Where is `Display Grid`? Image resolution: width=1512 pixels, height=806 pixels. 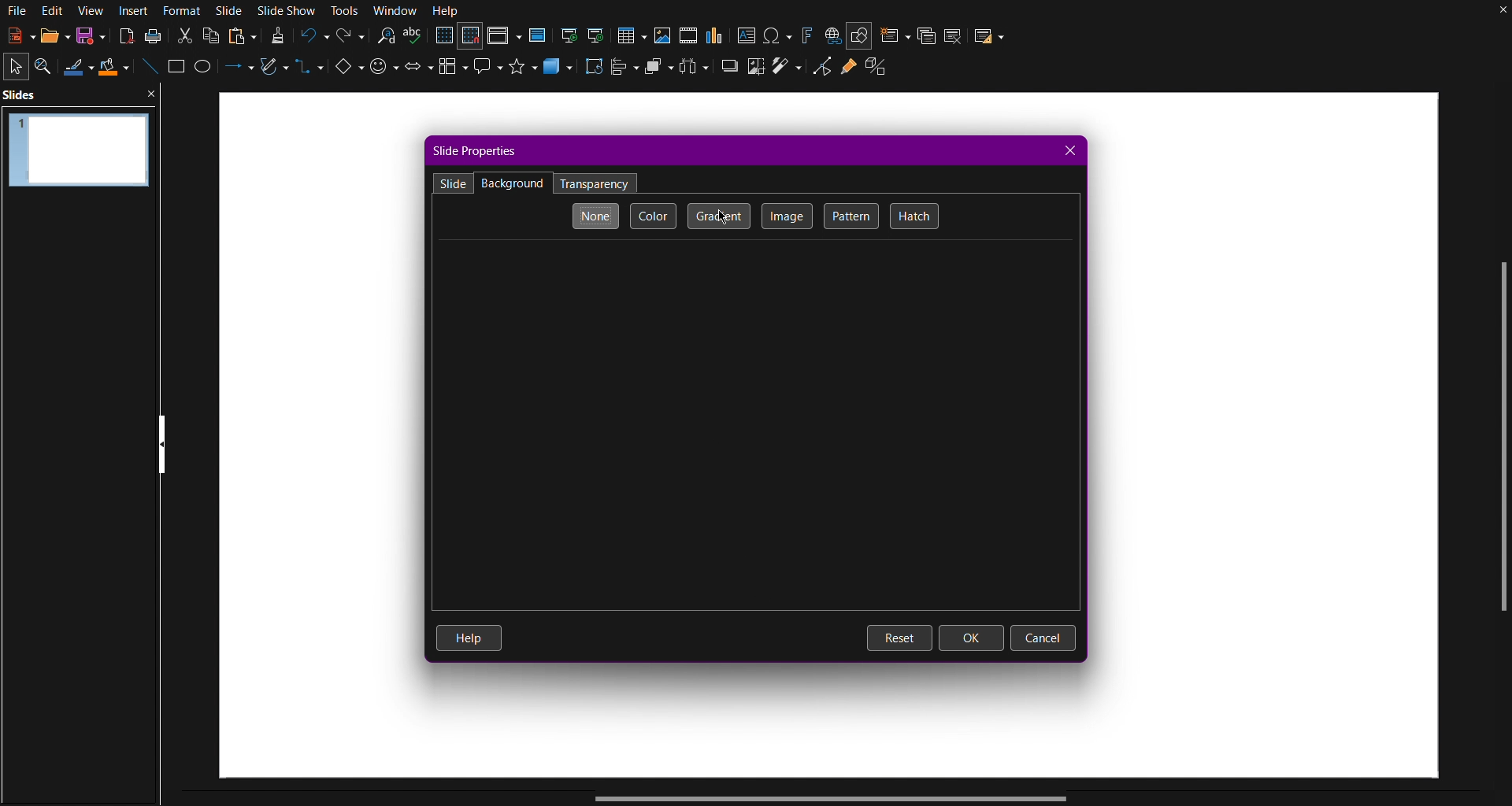 Display Grid is located at coordinates (443, 36).